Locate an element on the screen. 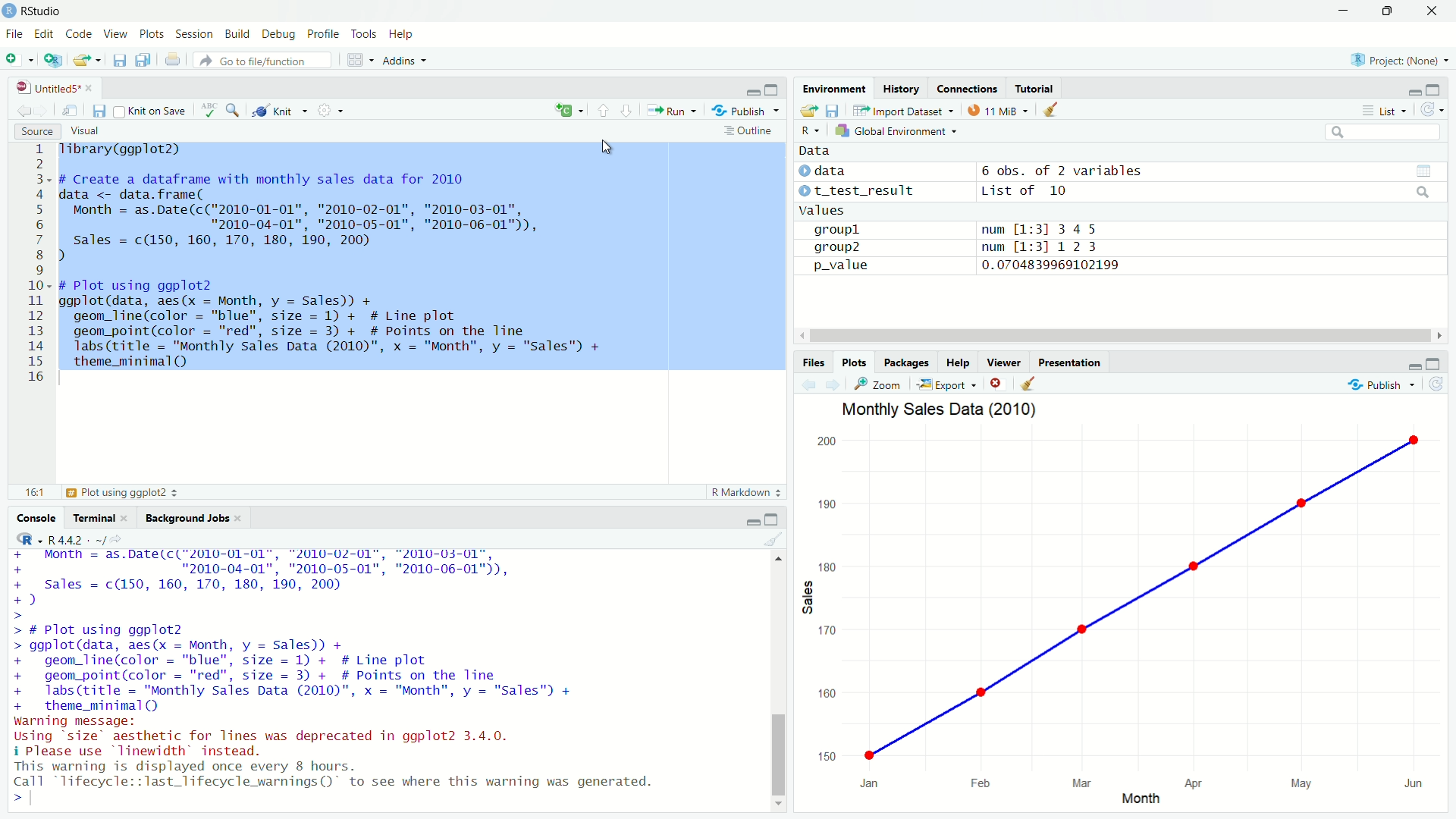 This screenshot has height=819, width=1456. save all open document is located at coordinates (143, 60).